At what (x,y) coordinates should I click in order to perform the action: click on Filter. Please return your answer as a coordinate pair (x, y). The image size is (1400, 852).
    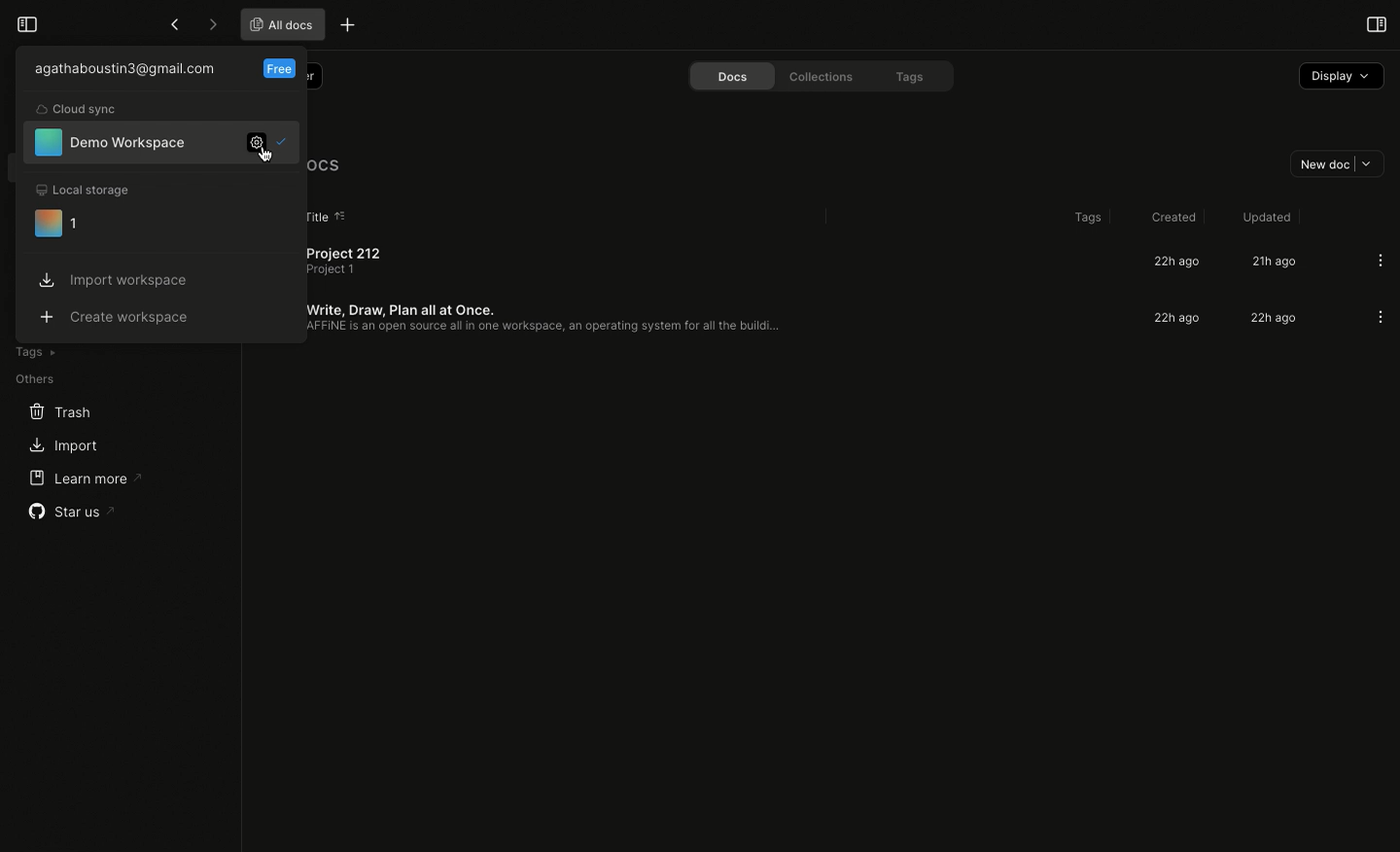
    Looking at the image, I should click on (283, 72).